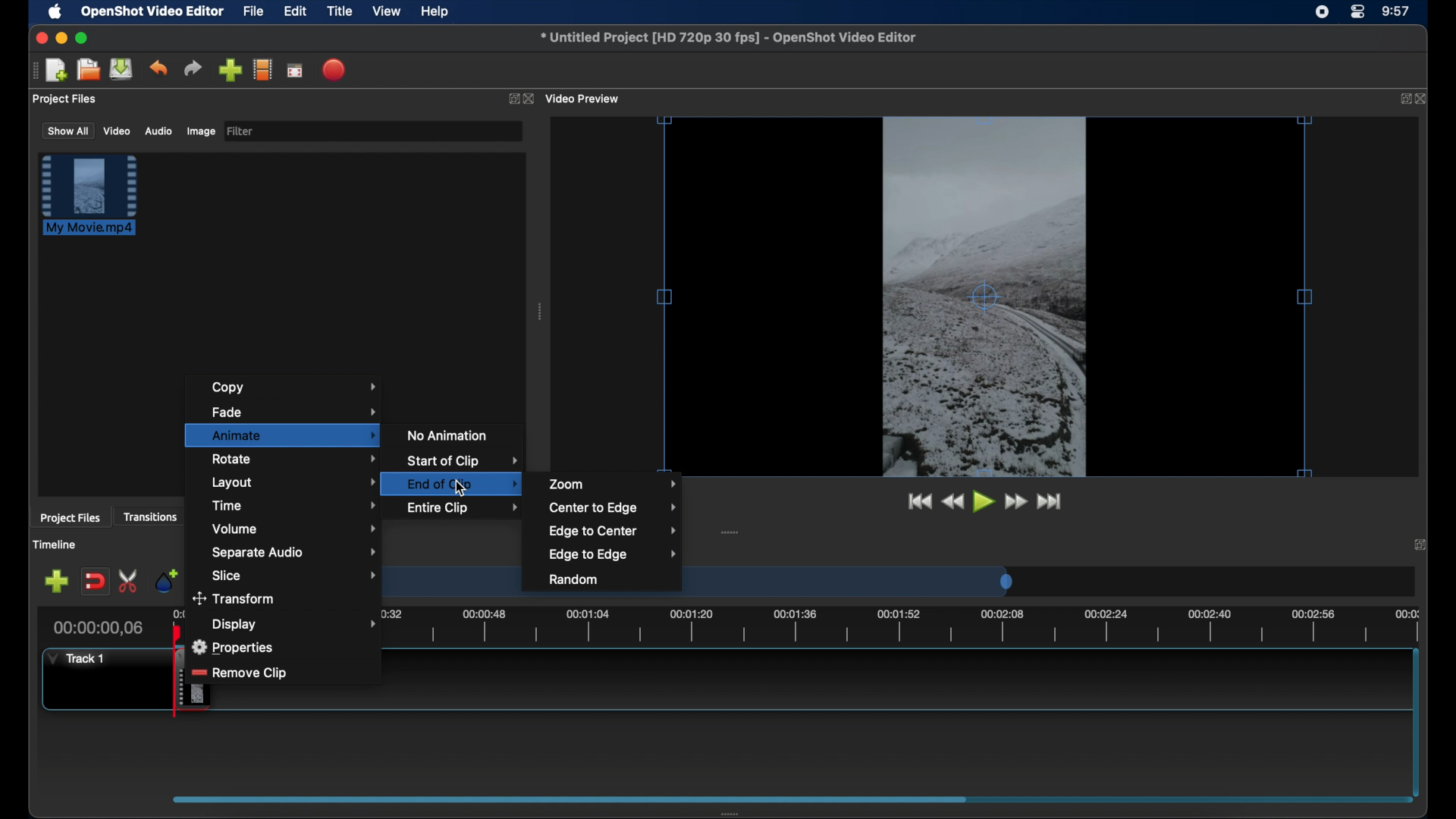 The height and width of the screenshot is (819, 1456). What do you see at coordinates (462, 461) in the screenshot?
I see `start of clip menu` at bounding box center [462, 461].